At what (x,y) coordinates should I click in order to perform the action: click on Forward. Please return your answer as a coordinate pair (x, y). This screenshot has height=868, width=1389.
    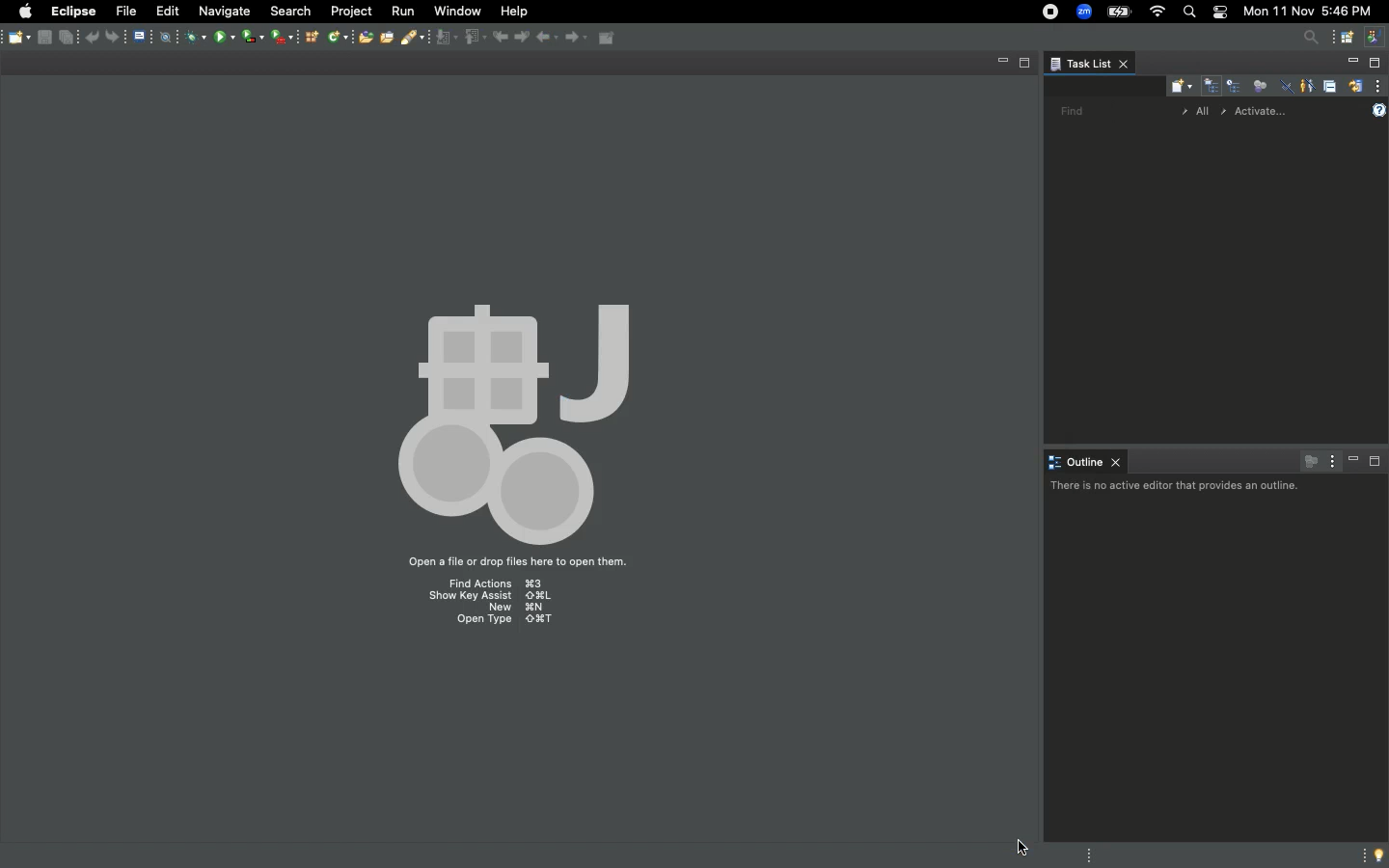
    Looking at the image, I should click on (120, 37).